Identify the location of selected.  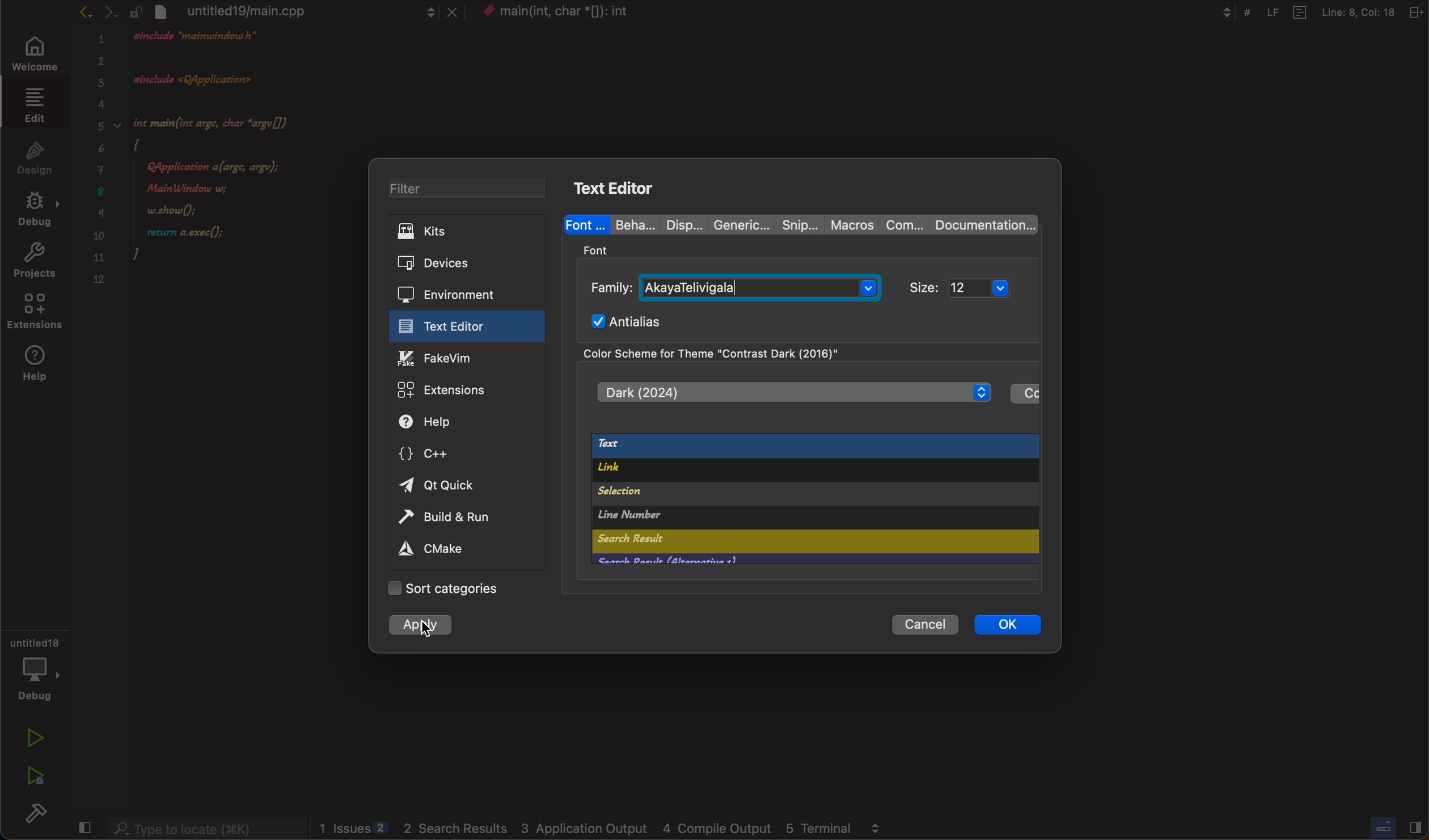
(422, 627).